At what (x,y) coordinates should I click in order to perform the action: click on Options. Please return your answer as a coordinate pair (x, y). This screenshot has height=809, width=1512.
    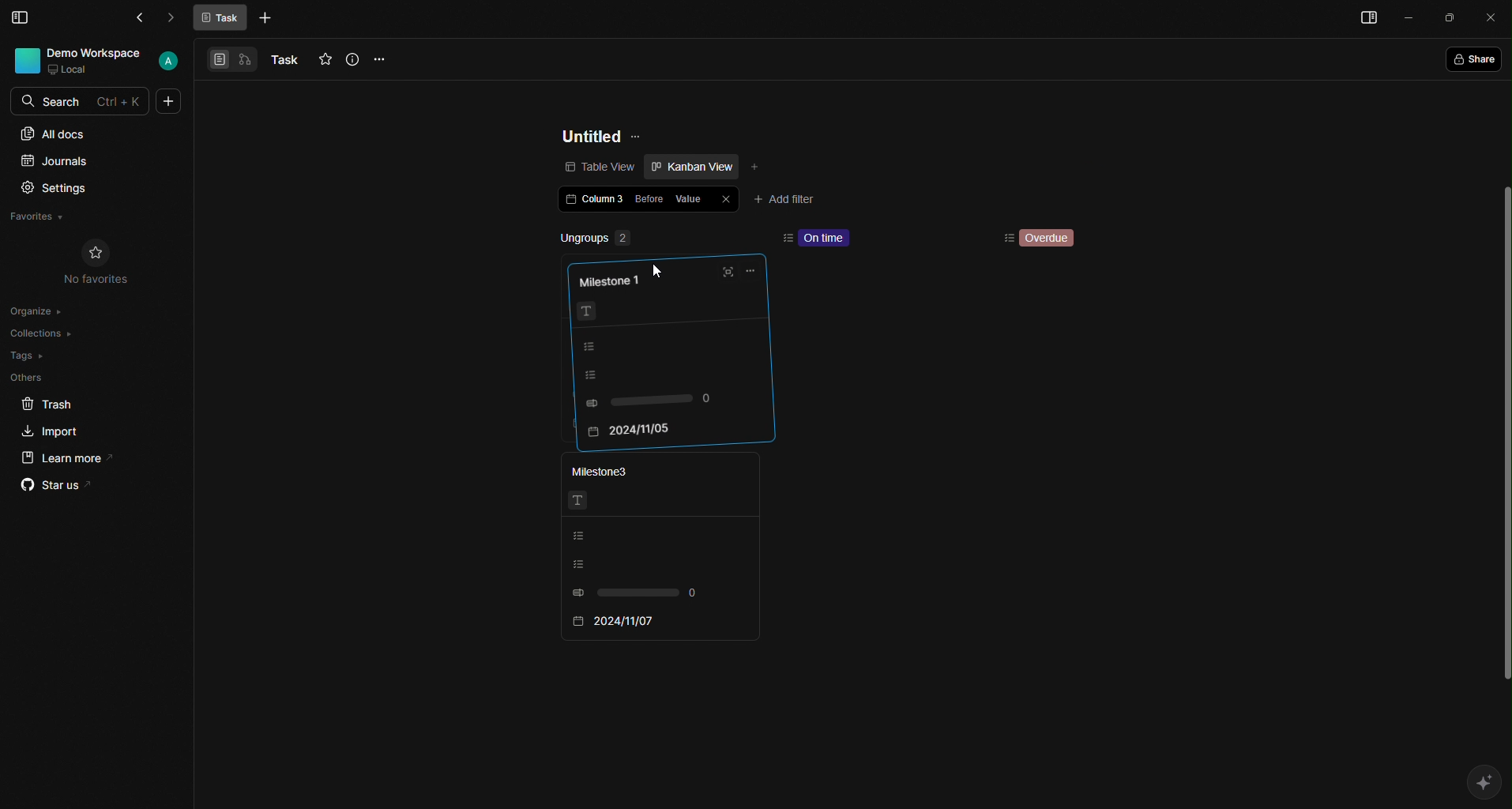
    Looking at the image, I should click on (747, 271).